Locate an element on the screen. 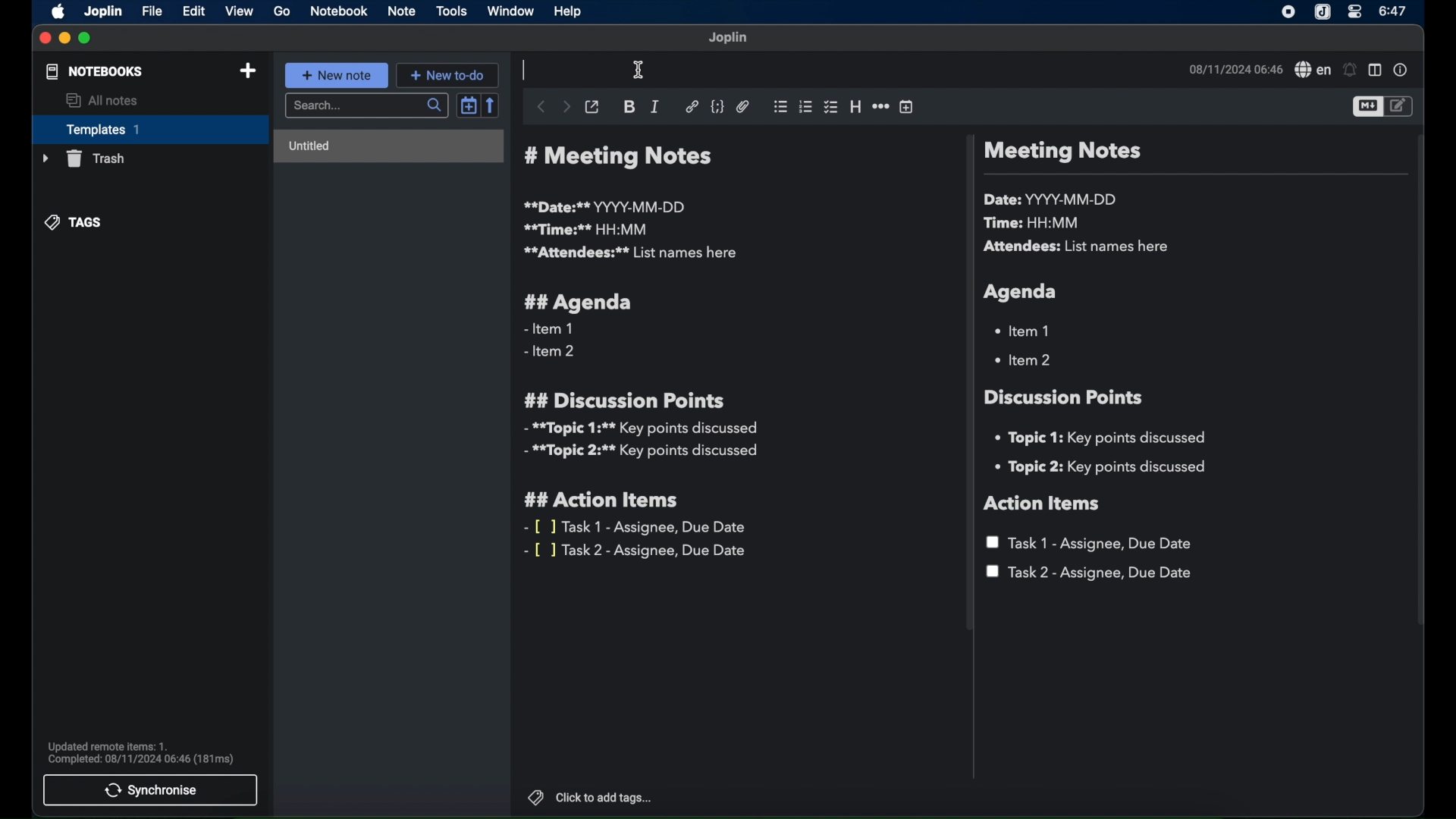  minimize is located at coordinates (64, 38).